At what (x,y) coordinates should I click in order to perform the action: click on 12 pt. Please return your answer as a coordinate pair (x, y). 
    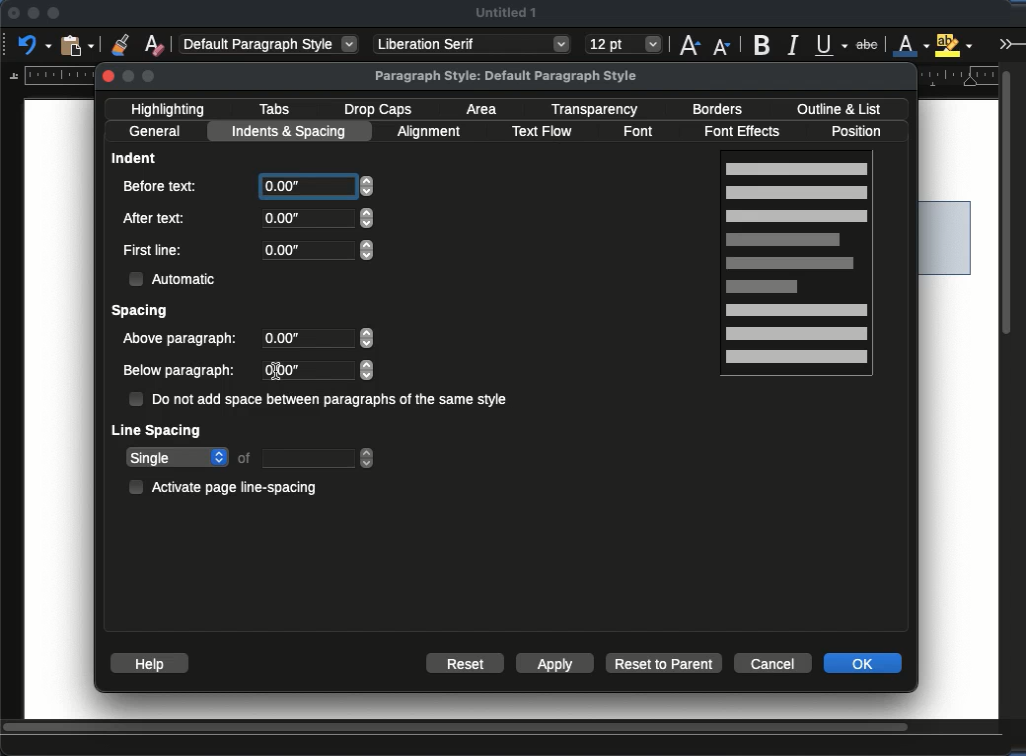
    Looking at the image, I should click on (624, 45).